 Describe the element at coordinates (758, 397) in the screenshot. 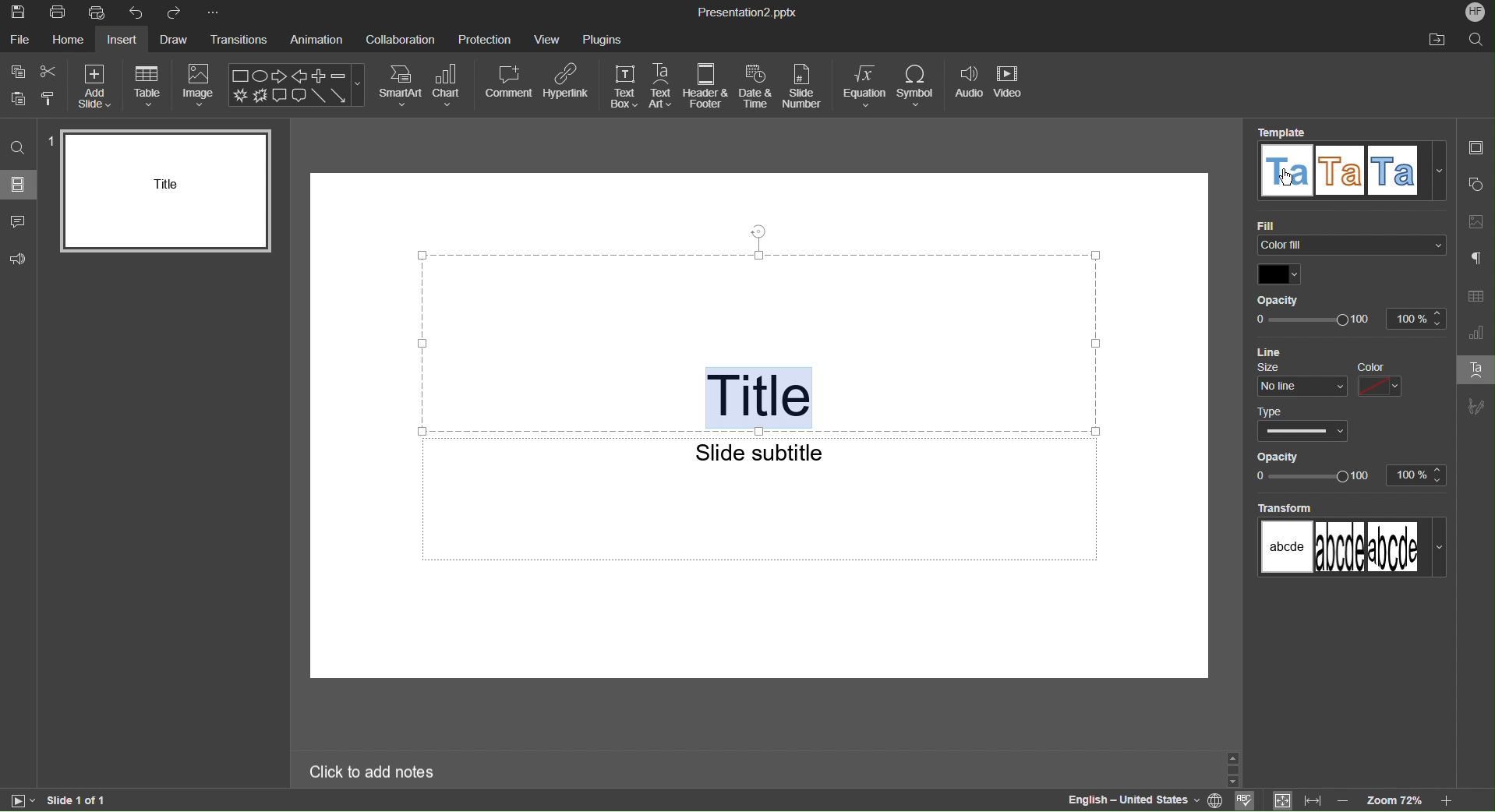

I see `Title Selected` at that location.